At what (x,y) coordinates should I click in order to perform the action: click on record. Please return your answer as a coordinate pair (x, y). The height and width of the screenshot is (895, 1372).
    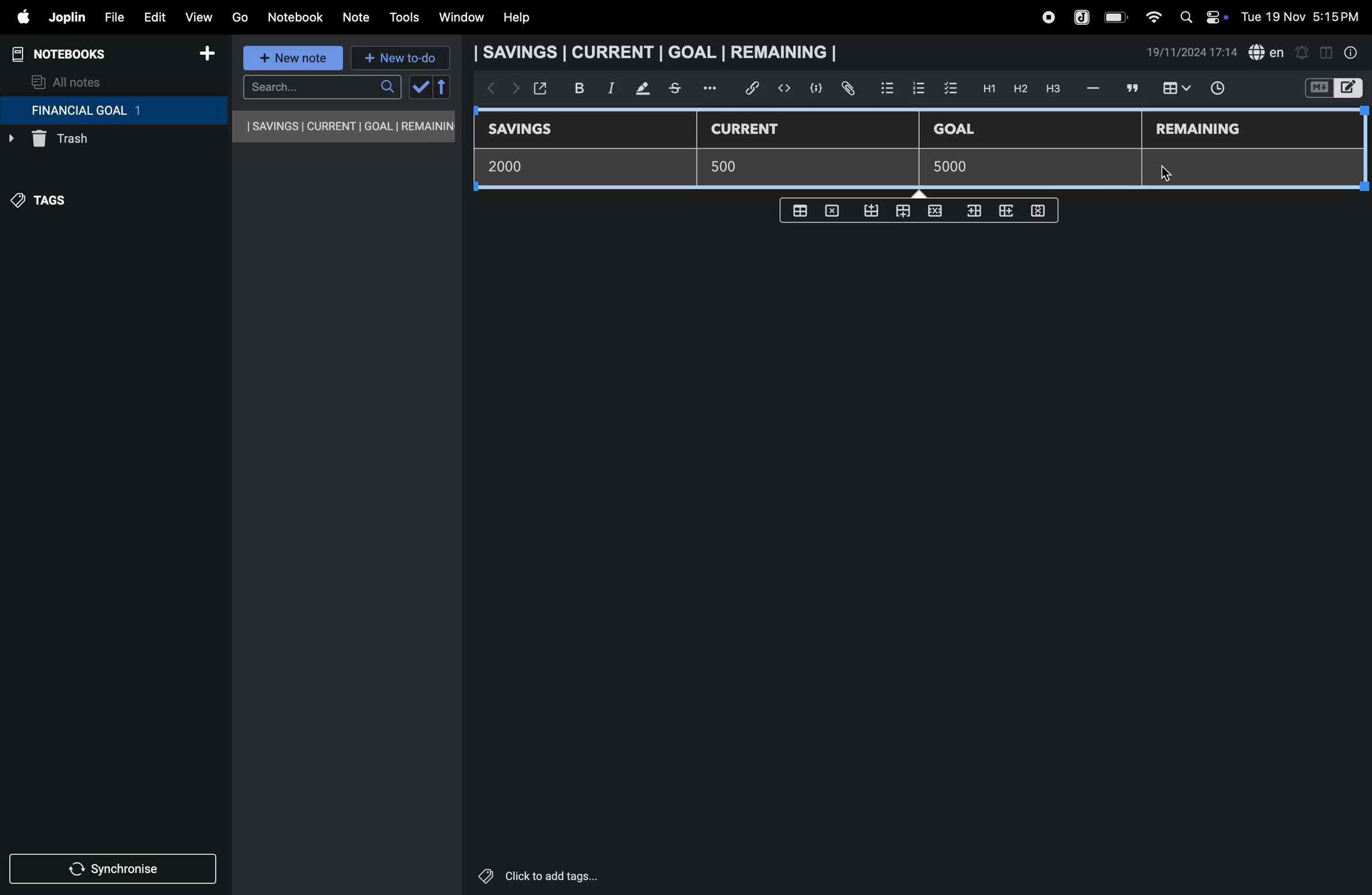
    Looking at the image, I should click on (1047, 17).